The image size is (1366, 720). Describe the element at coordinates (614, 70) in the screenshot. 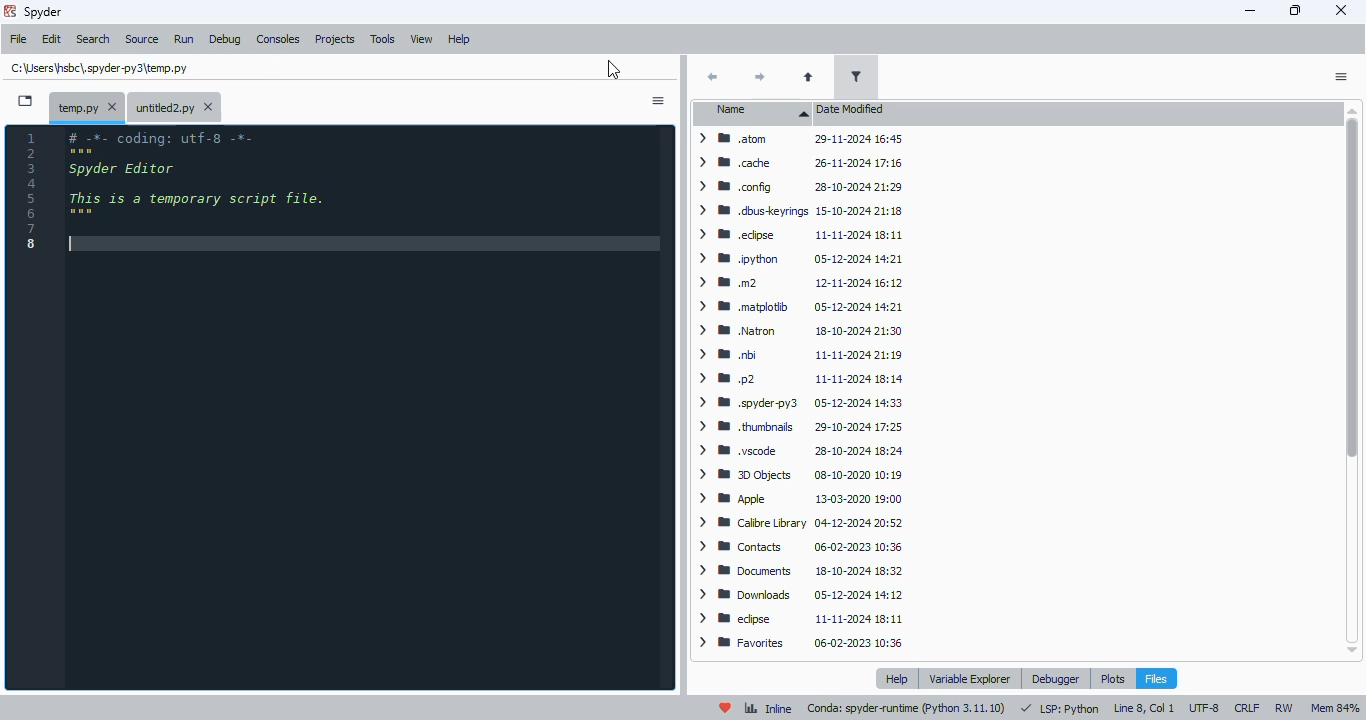

I see `cursor` at that location.